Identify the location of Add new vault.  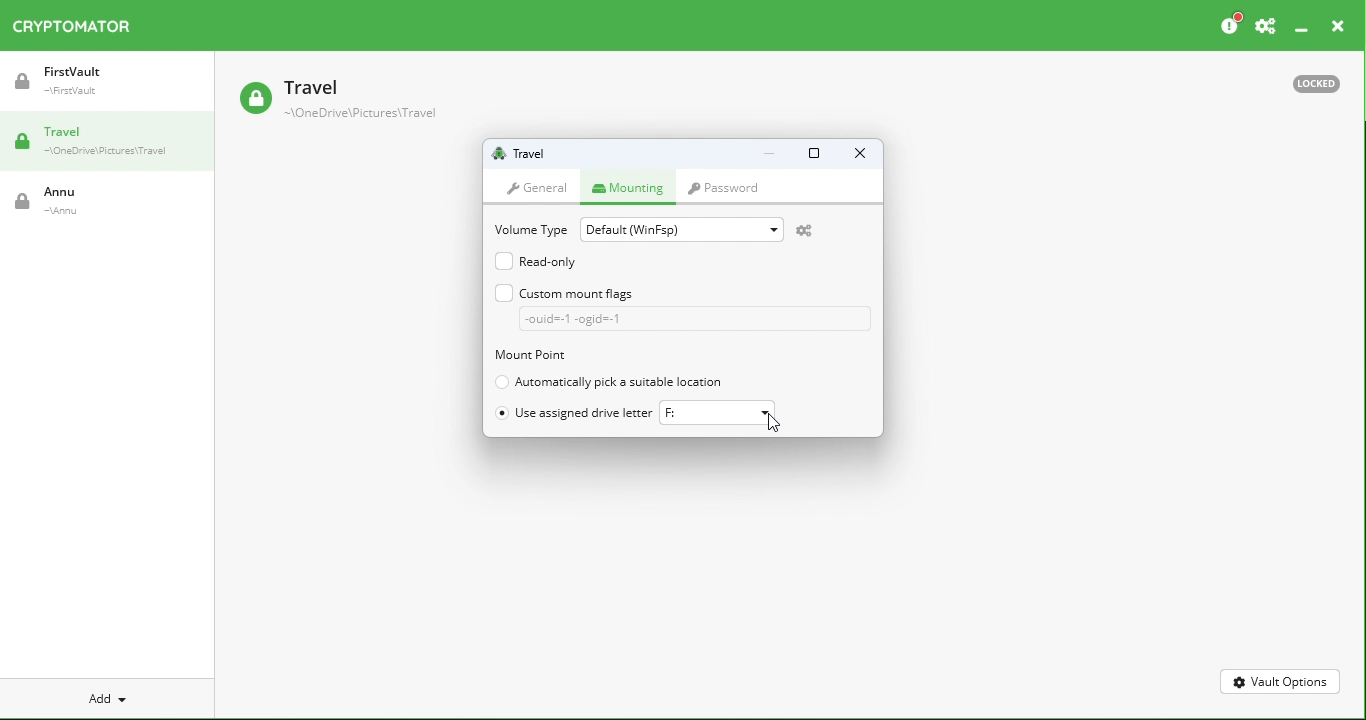
(105, 696).